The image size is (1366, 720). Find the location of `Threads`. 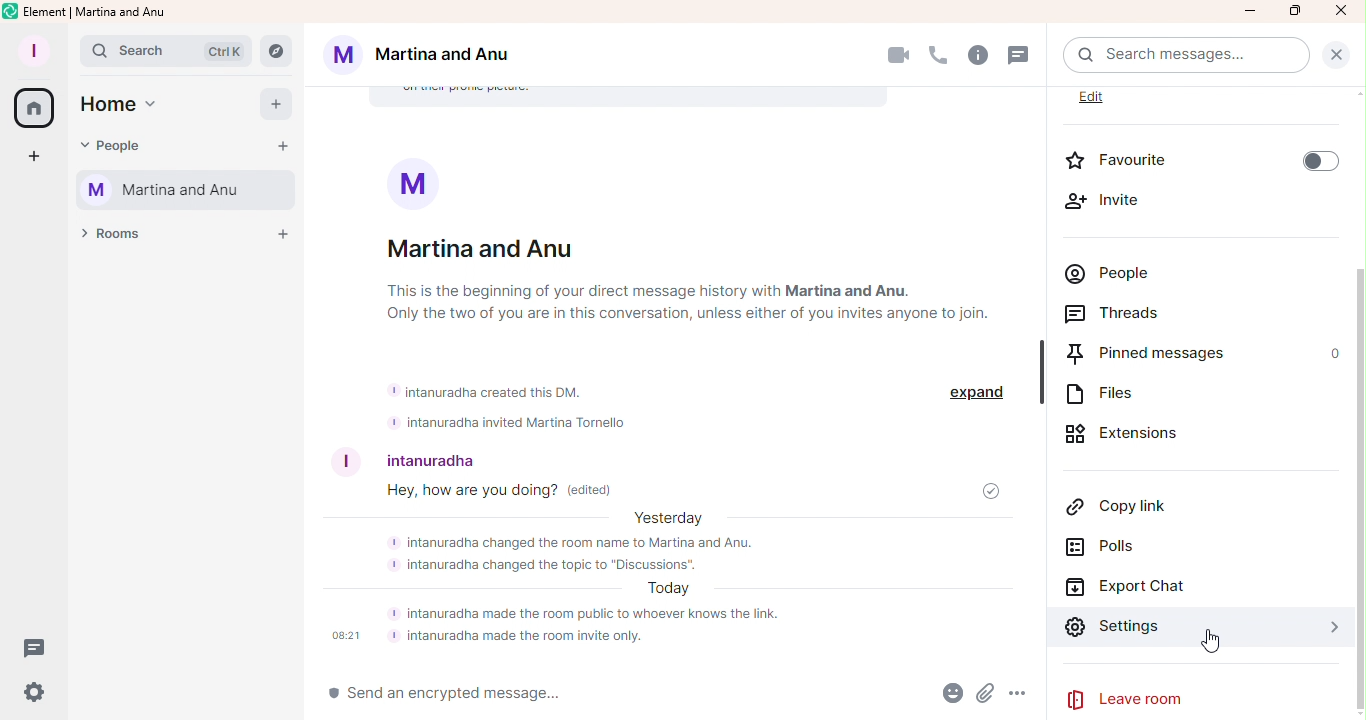

Threads is located at coordinates (40, 647).